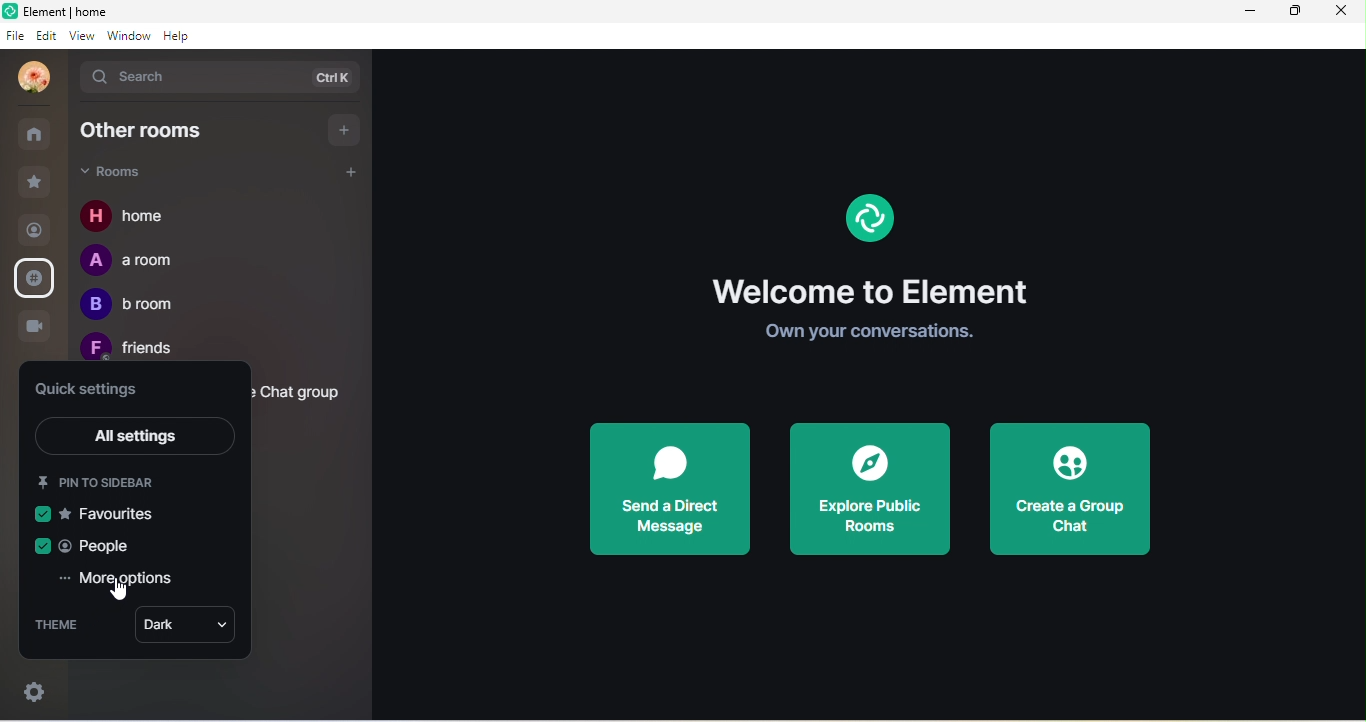  What do you see at coordinates (870, 224) in the screenshot?
I see `element logo` at bounding box center [870, 224].